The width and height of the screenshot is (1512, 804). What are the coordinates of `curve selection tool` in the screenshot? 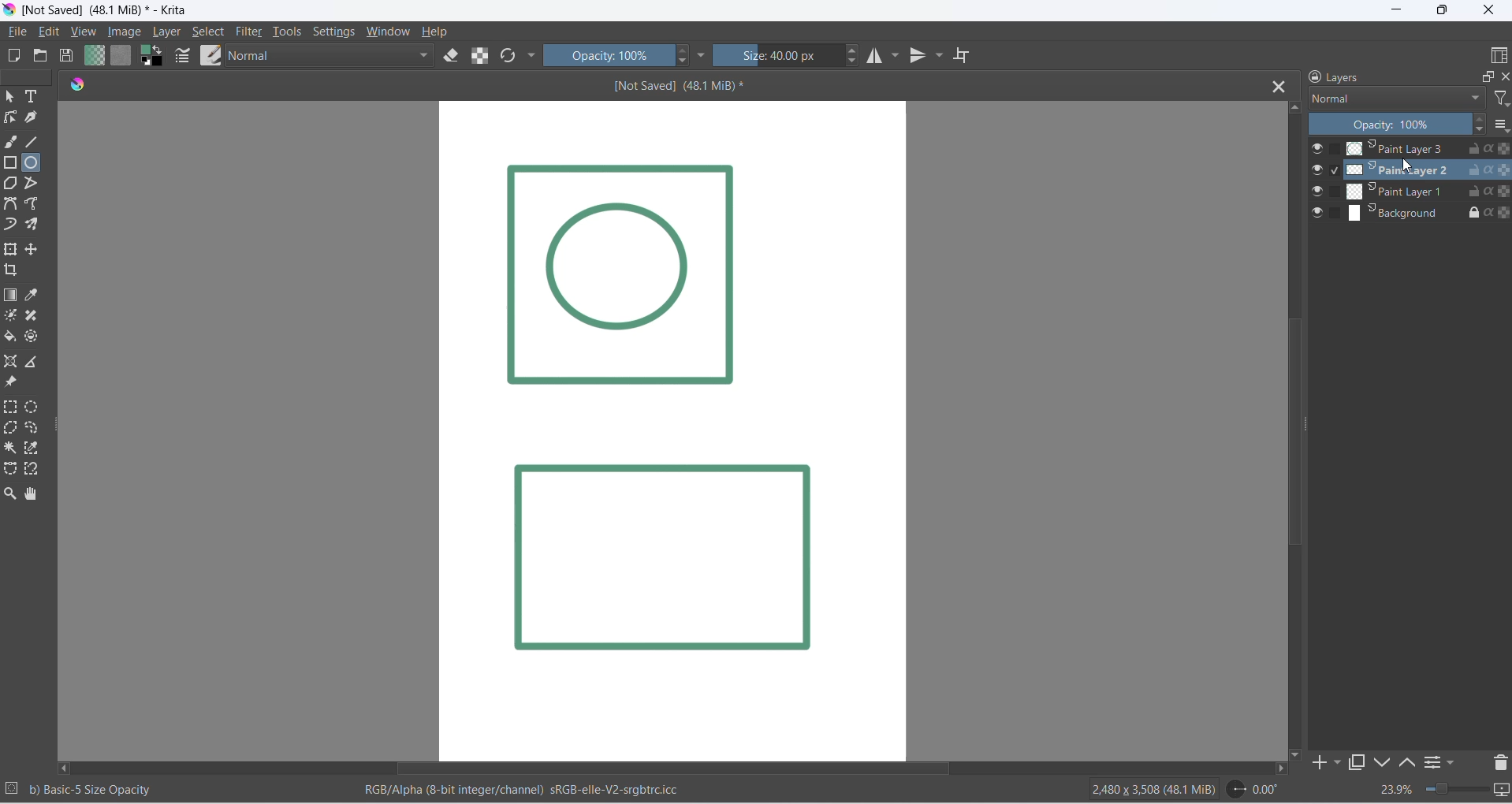 It's located at (36, 430).